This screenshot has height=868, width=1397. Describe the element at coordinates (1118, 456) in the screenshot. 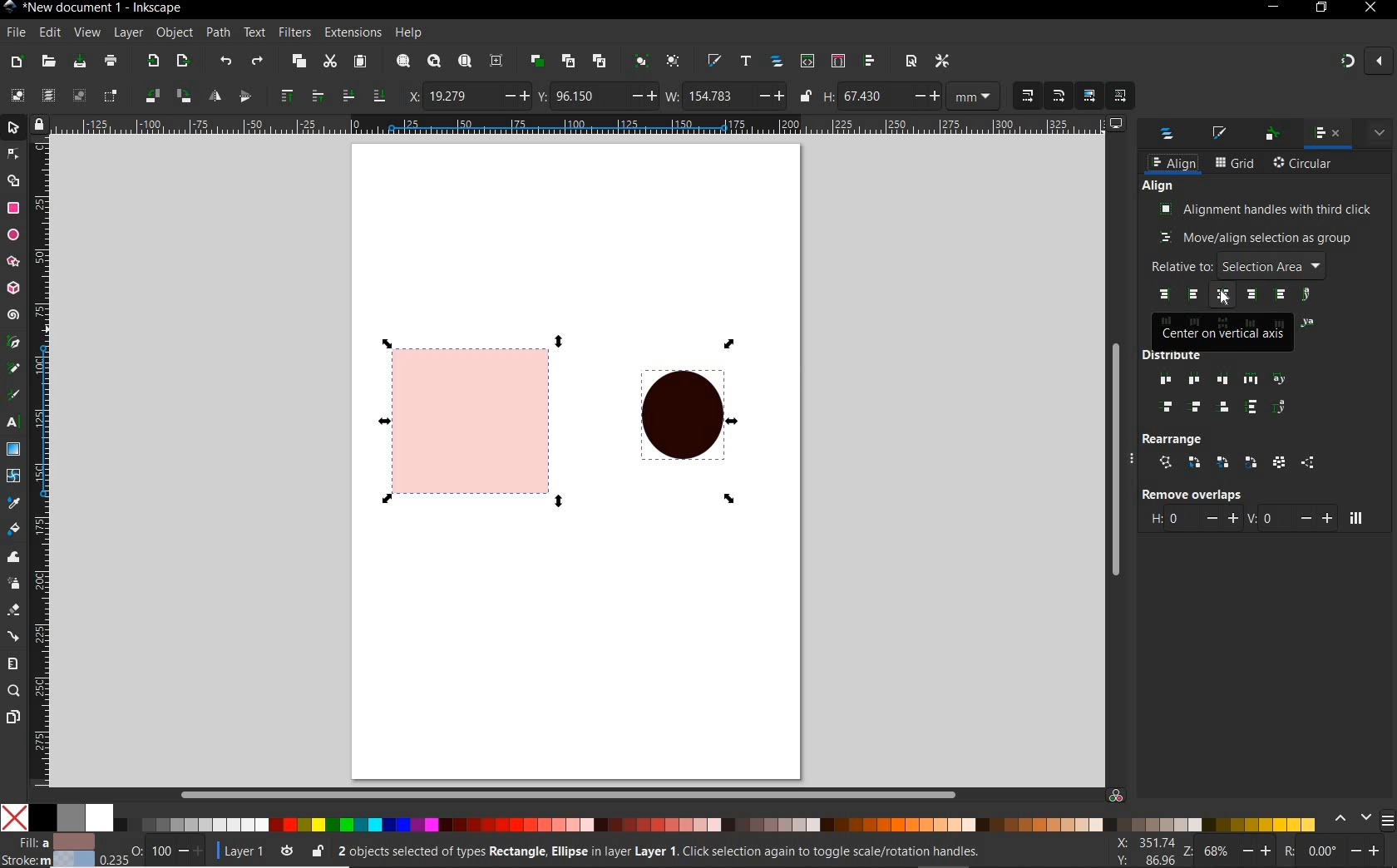

I see `scrollbar` at that location.